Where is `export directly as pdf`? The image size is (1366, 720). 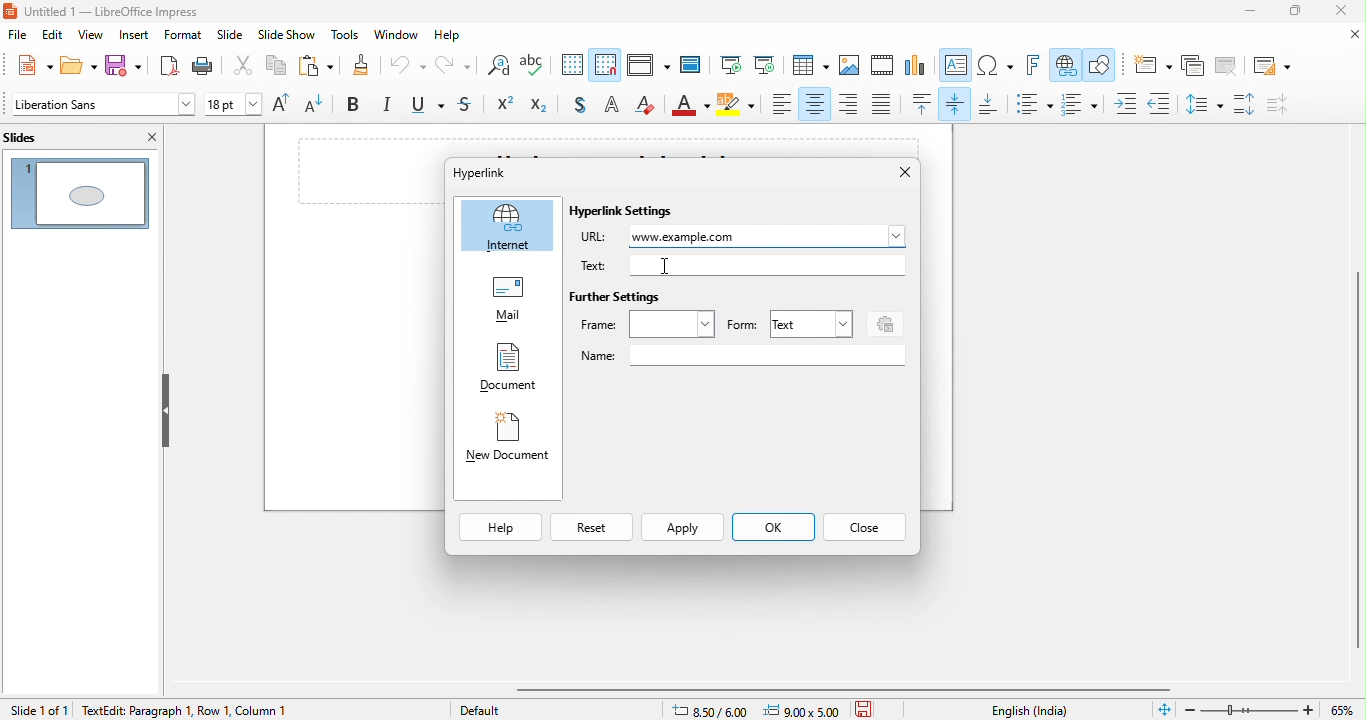
export directly as pdf is located at coordinates (167, 66).